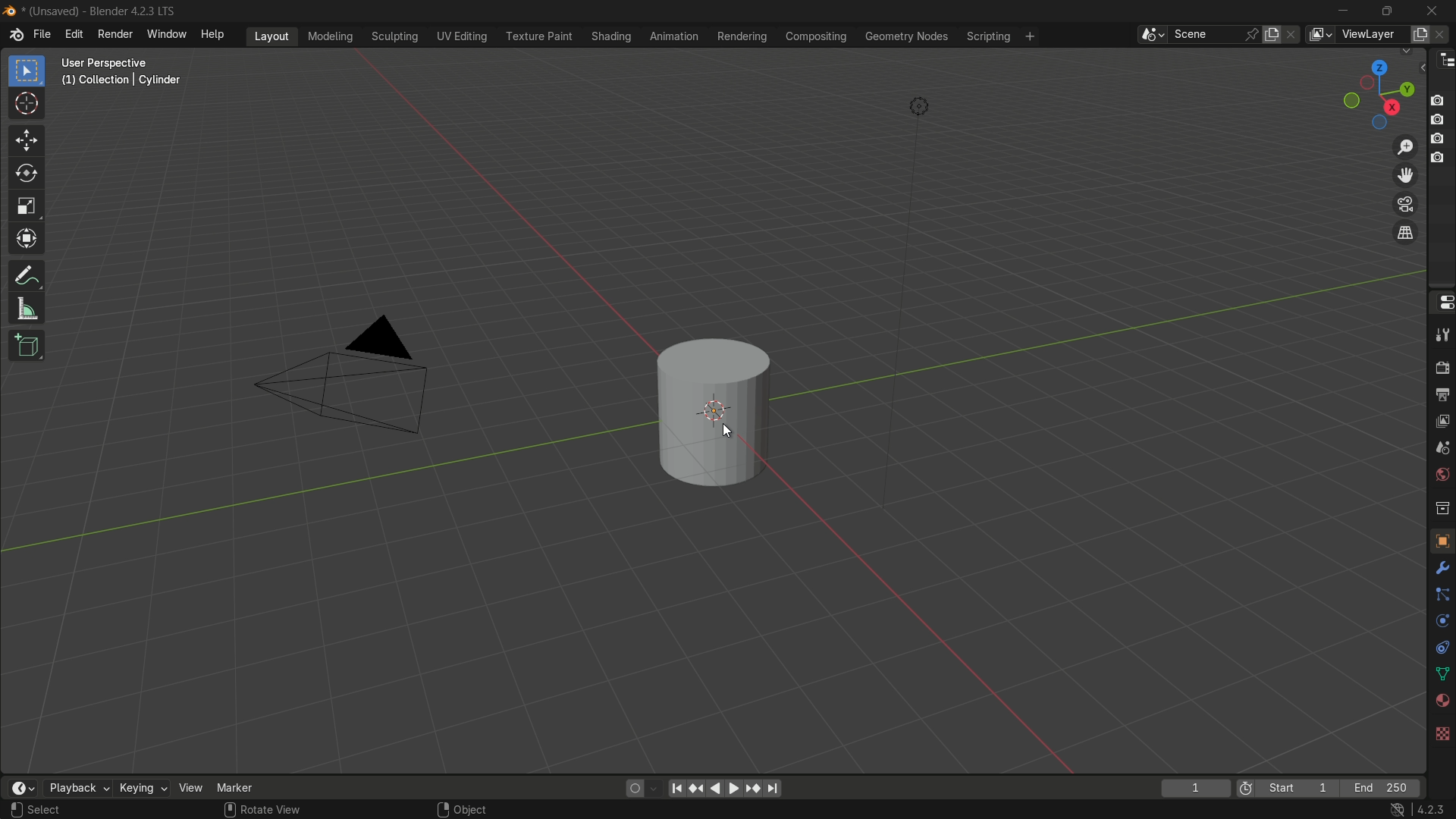  I want to click on keying, so click(143, 786).